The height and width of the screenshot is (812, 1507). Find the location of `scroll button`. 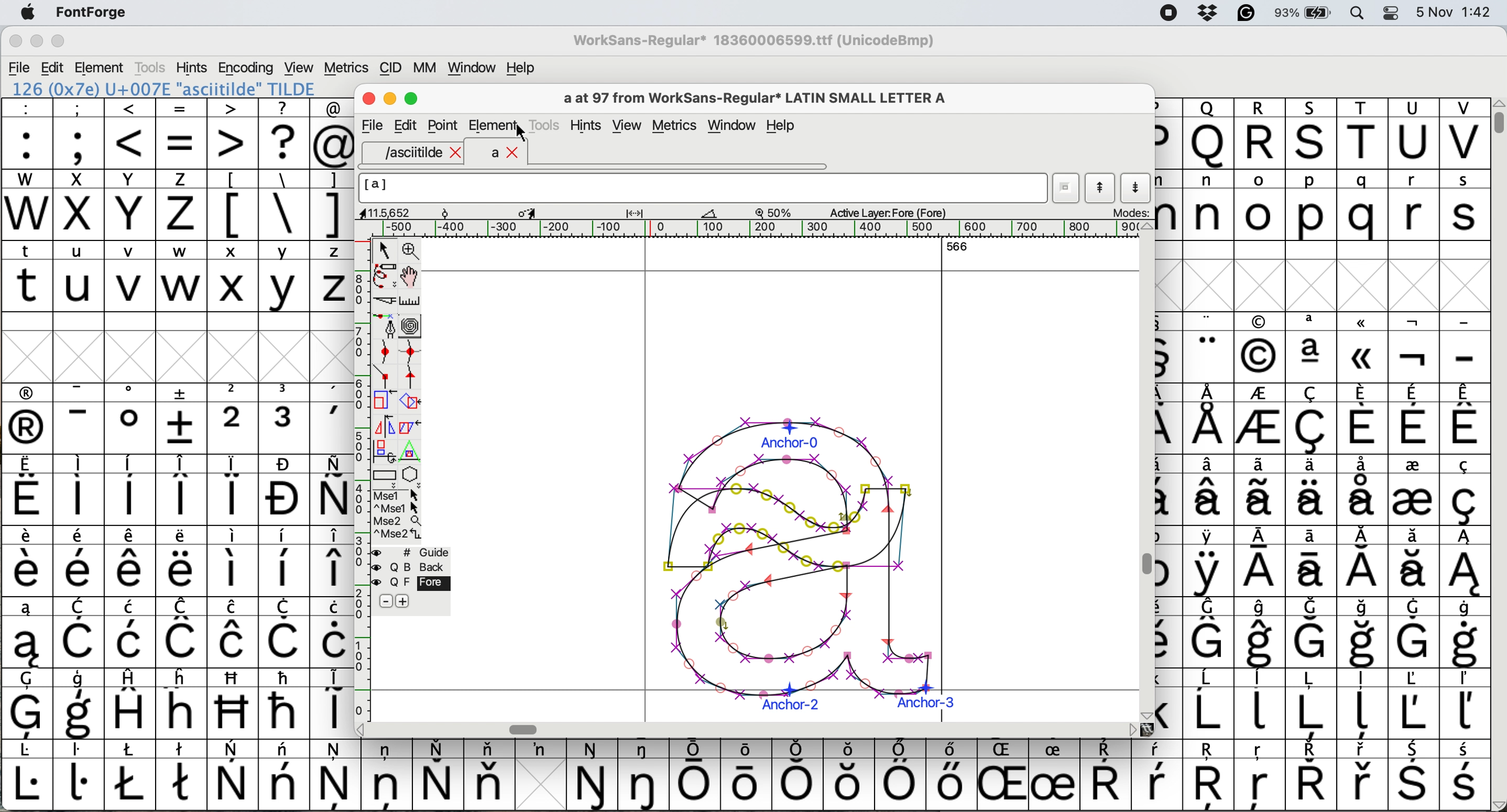

scroll button is located at coordinates (1133, 729).